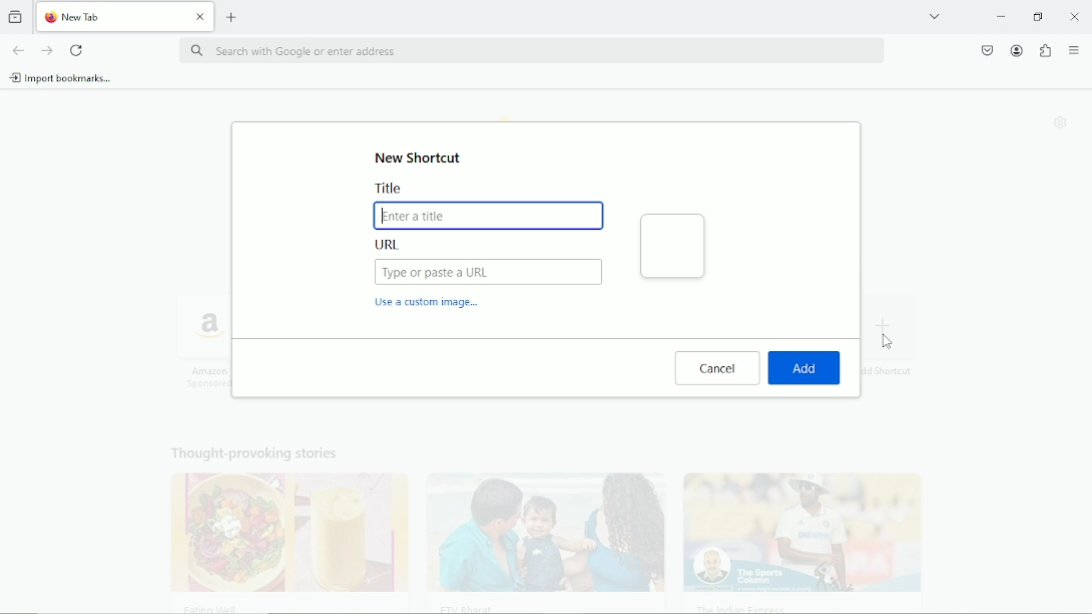 Image resolution: width=1092 pixels, height=614 pixels. I want to click on search with Google or enter address, so click(530, 52).